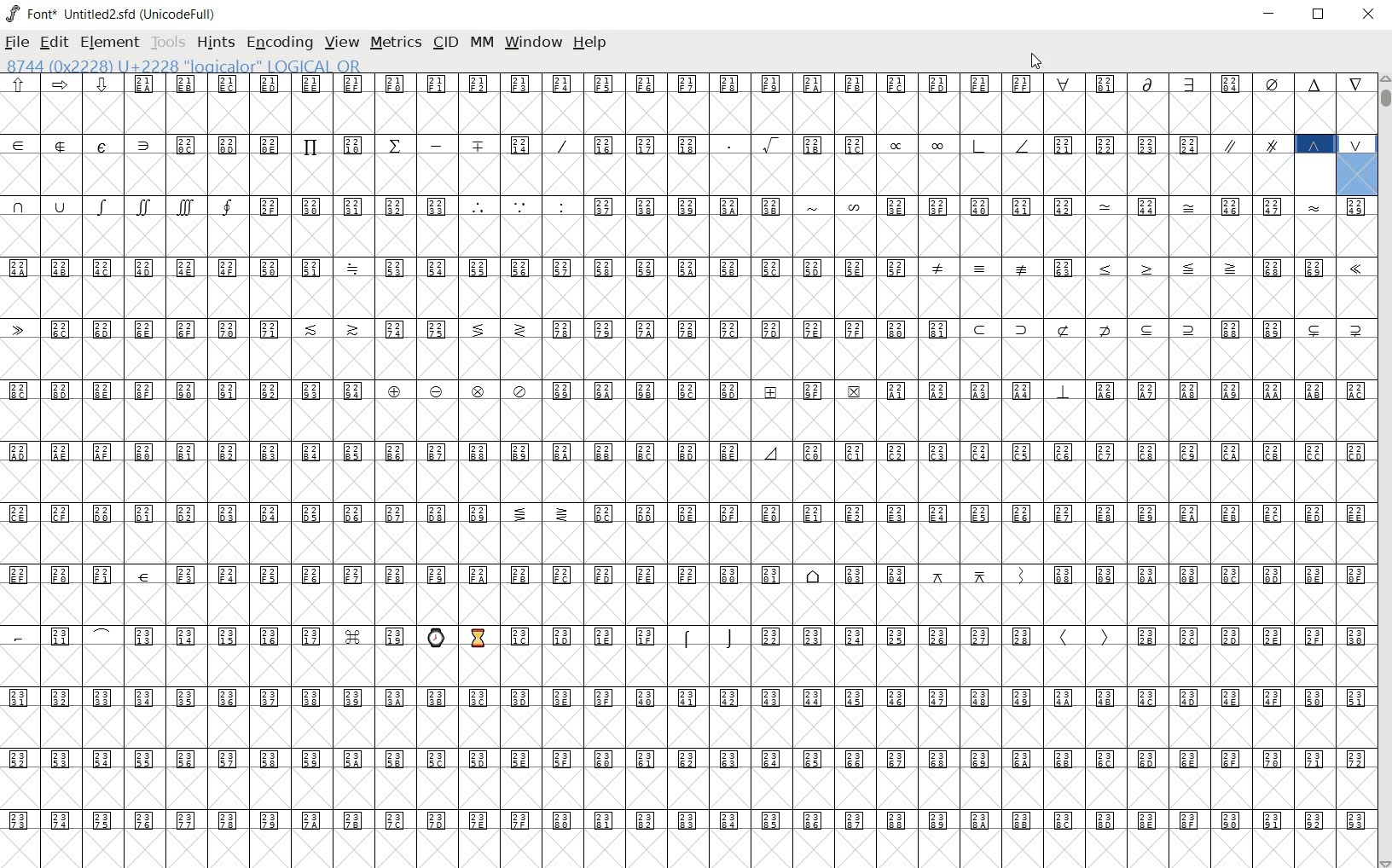 This screenshot has width=1392, height=868. I want to click on tools, so click(167, 43).